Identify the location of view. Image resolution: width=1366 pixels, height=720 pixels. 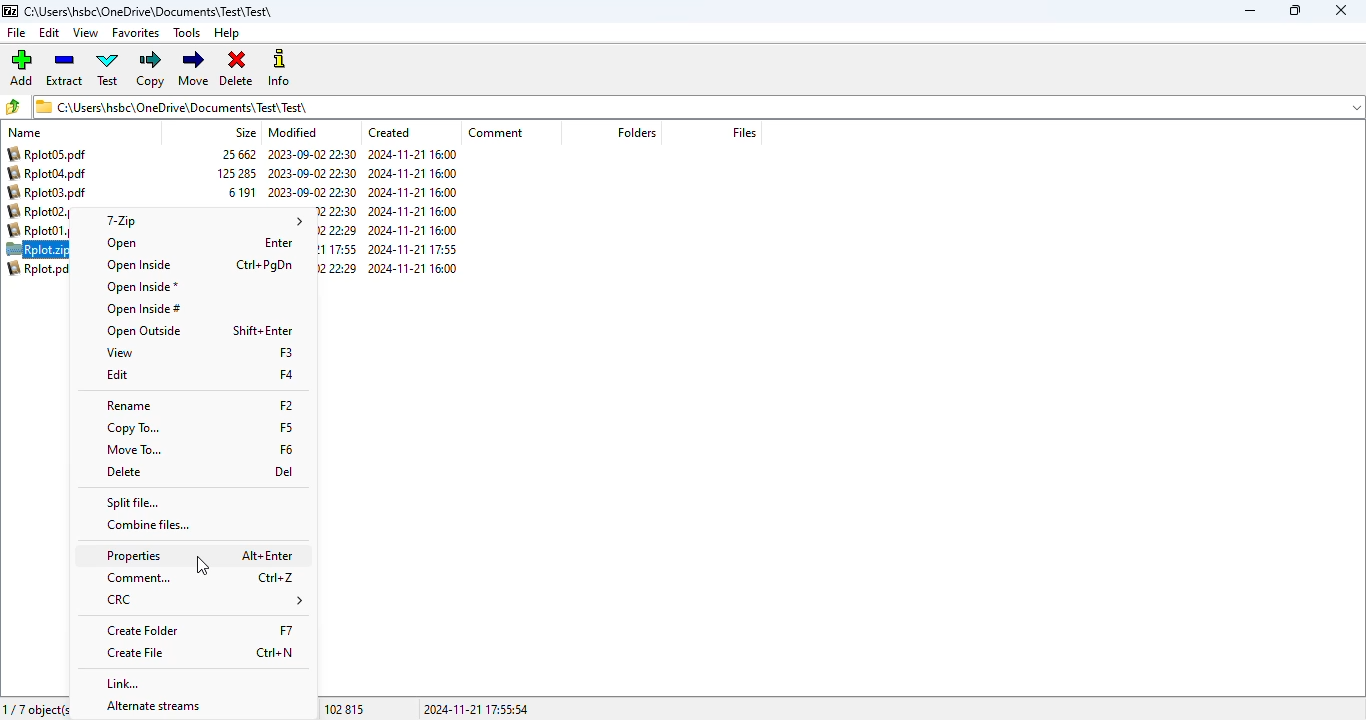
(85, 33).